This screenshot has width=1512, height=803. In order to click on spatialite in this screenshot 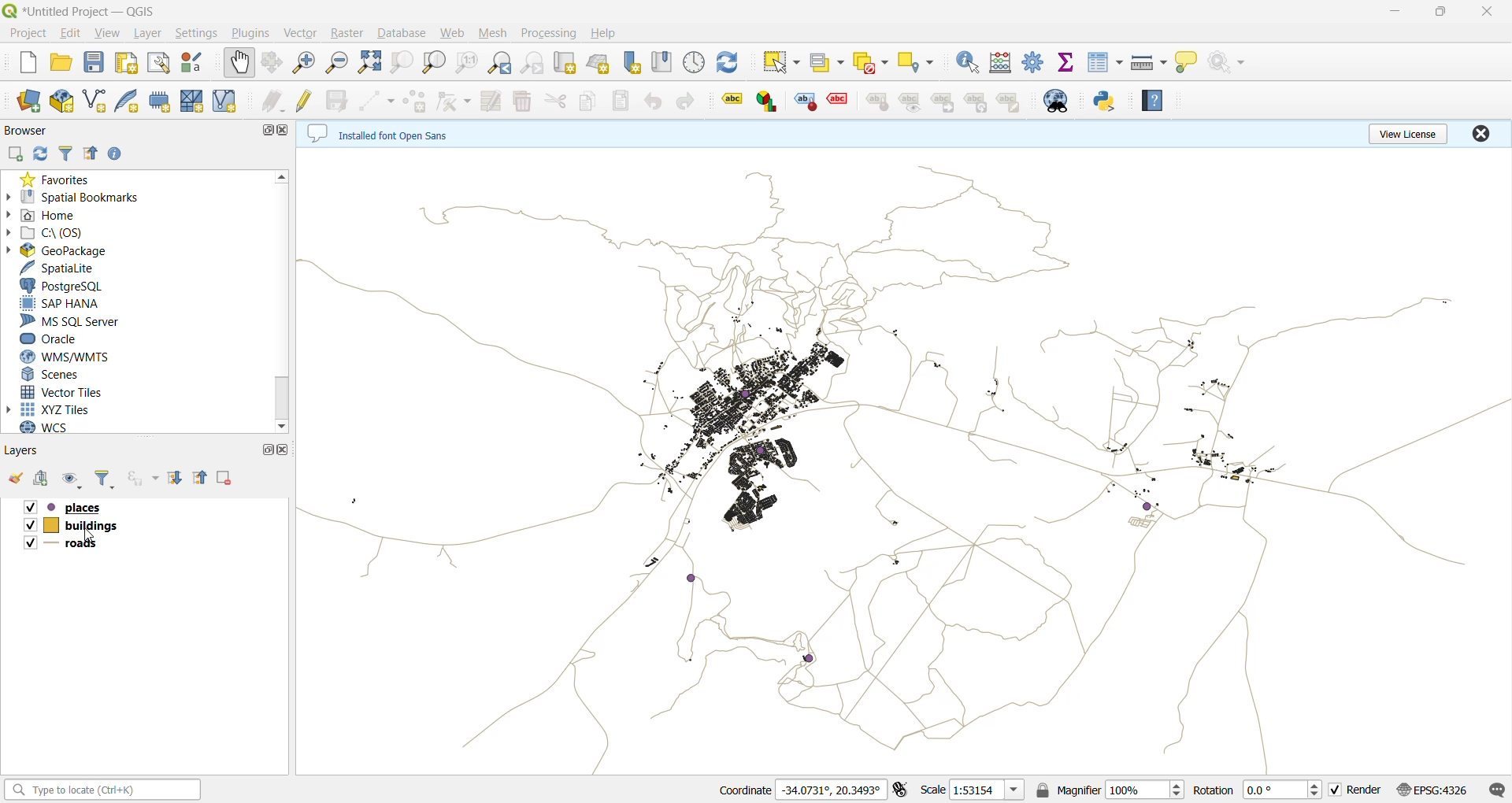, I will do `click(61, 269)`.